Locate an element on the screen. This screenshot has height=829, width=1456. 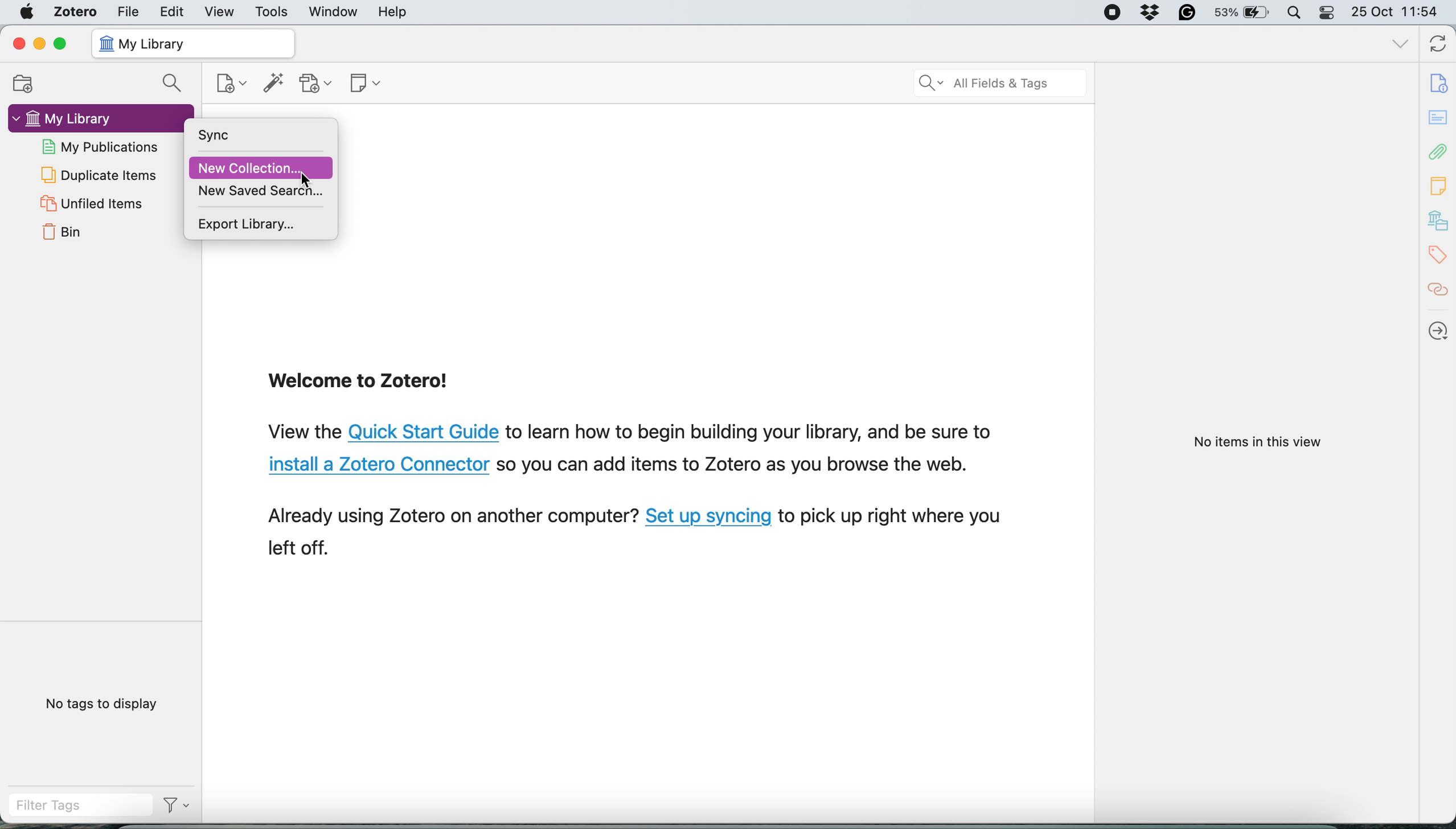
bin is located at coordinates (61, 235).